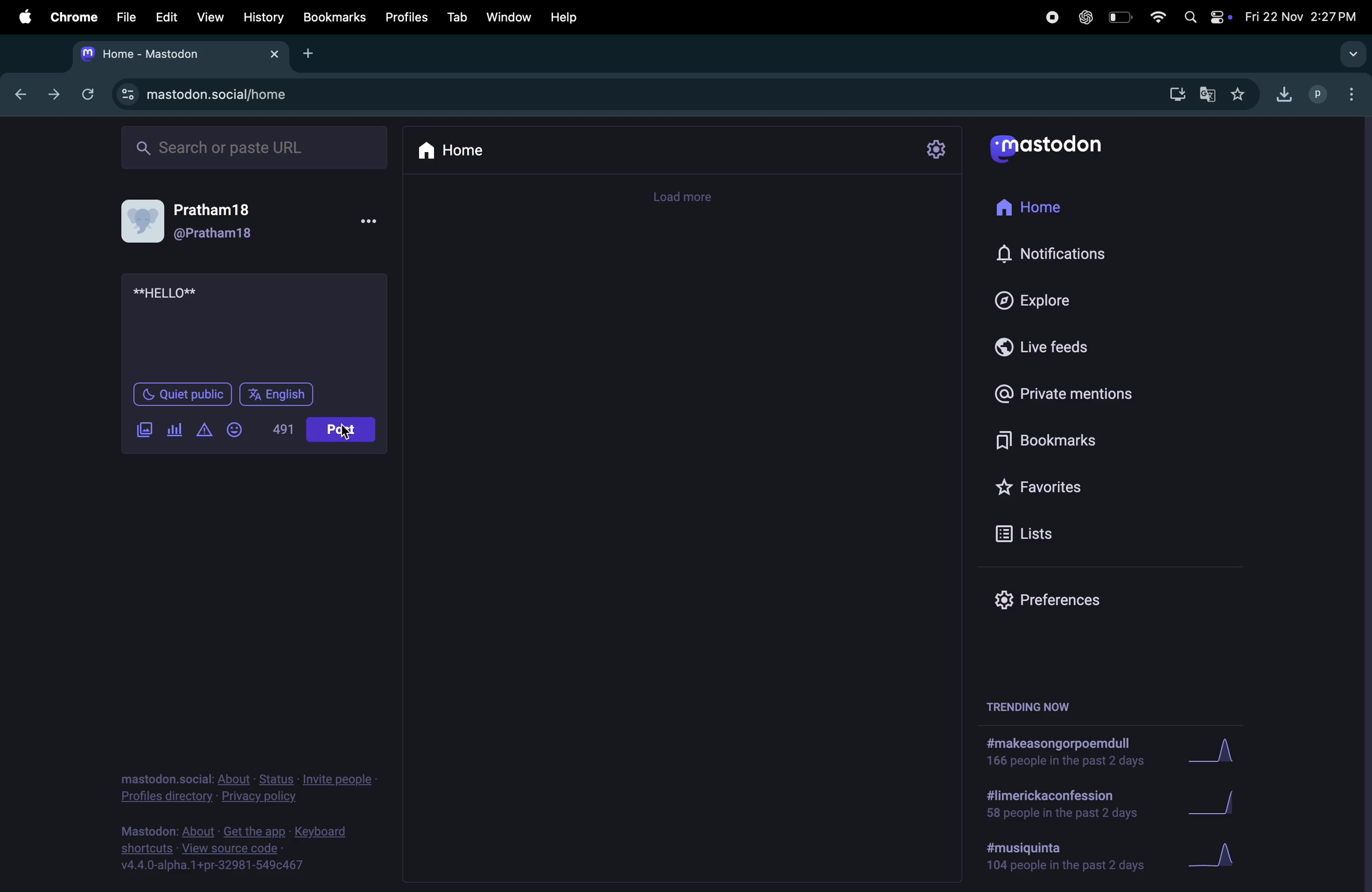  I want to click on translate, so click(1208, 91).